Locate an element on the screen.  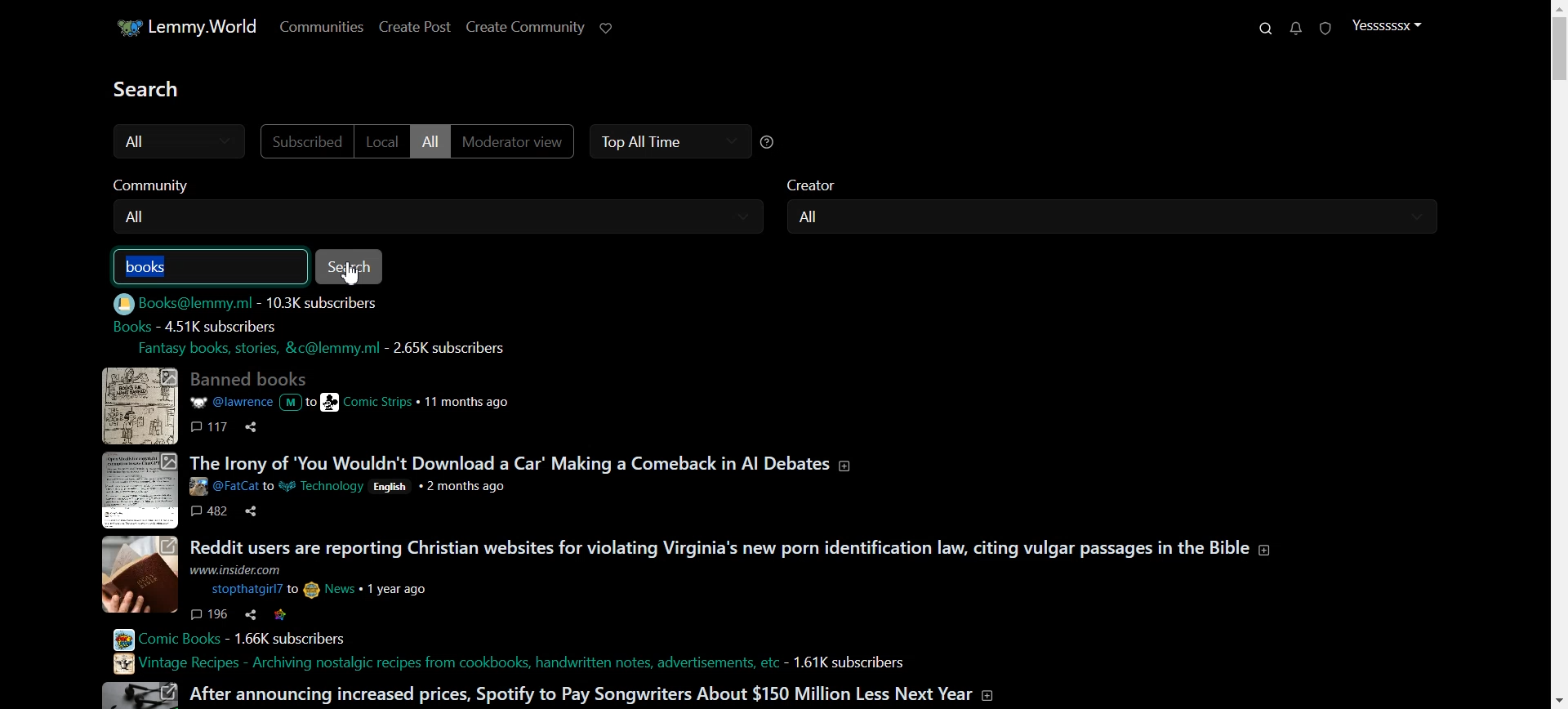
image is located at coordinates (138, 491).